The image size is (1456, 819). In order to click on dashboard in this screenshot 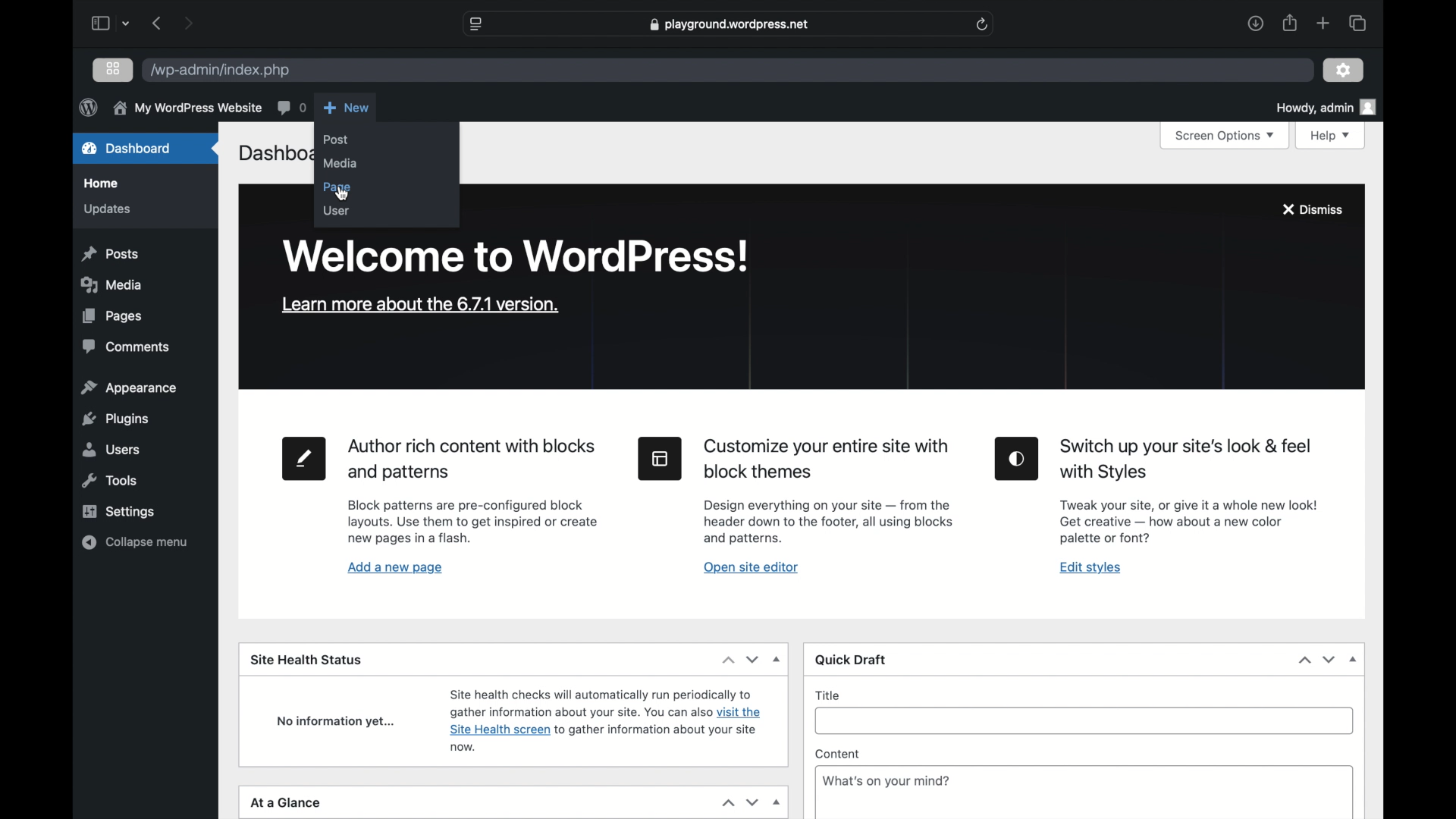, I will do `click(127, 149)`.